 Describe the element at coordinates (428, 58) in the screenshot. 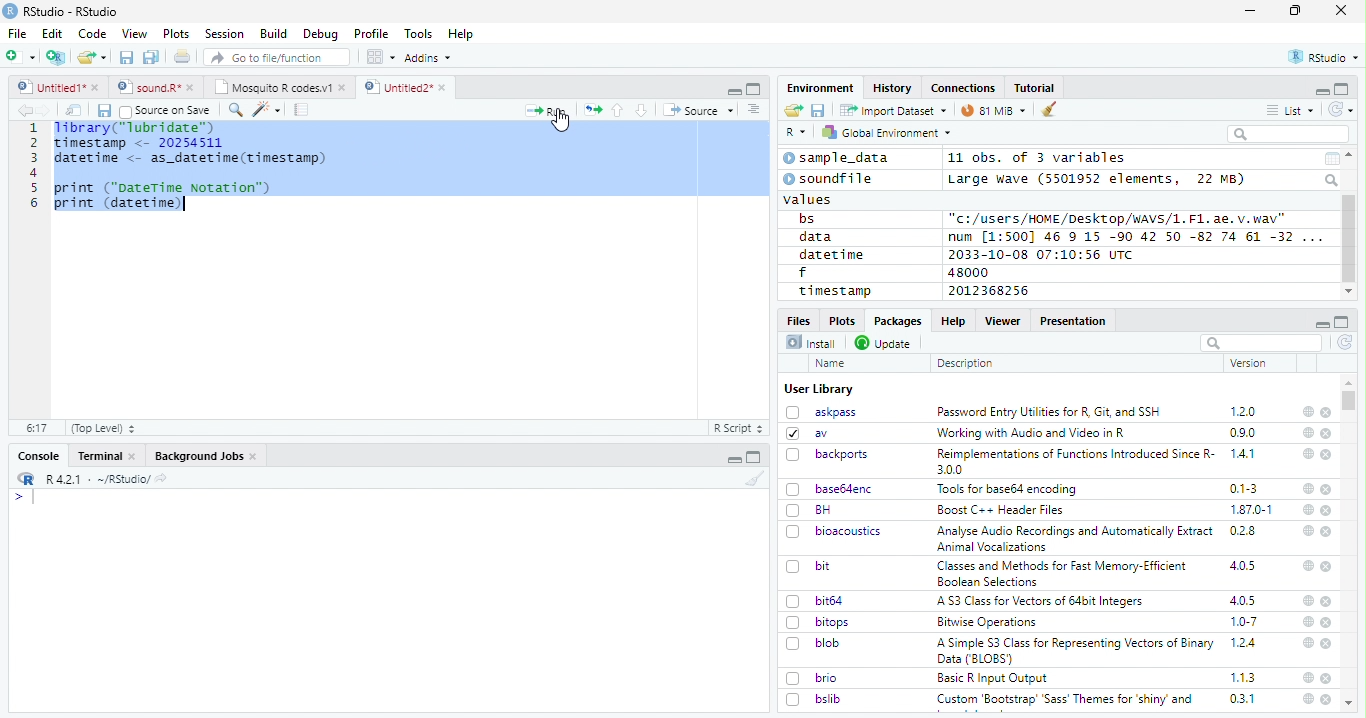

I see `Addins` at that location.